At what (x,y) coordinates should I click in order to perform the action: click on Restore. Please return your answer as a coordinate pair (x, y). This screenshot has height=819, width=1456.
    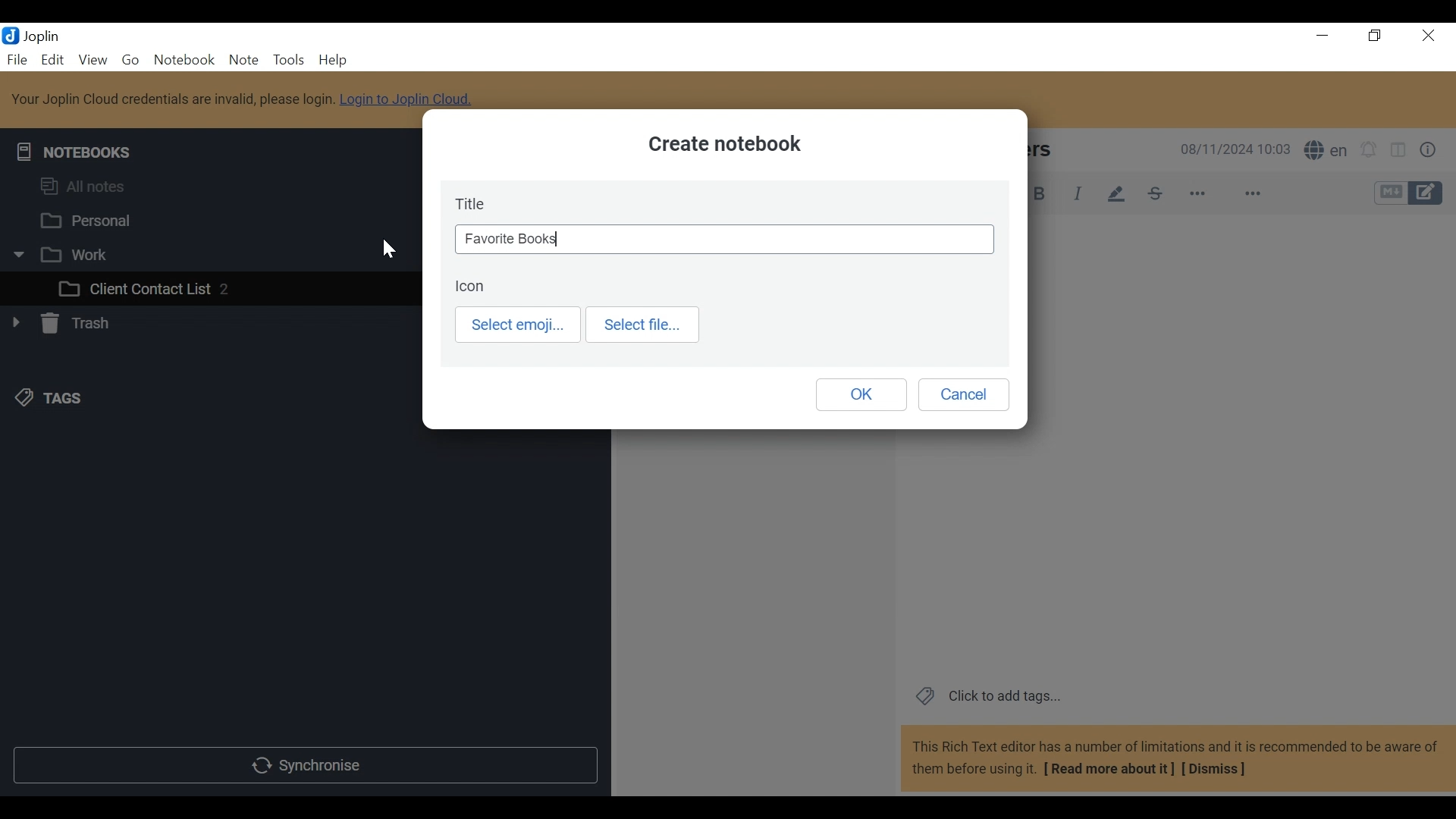
    Looking at the image, I should click on (1376, 35).